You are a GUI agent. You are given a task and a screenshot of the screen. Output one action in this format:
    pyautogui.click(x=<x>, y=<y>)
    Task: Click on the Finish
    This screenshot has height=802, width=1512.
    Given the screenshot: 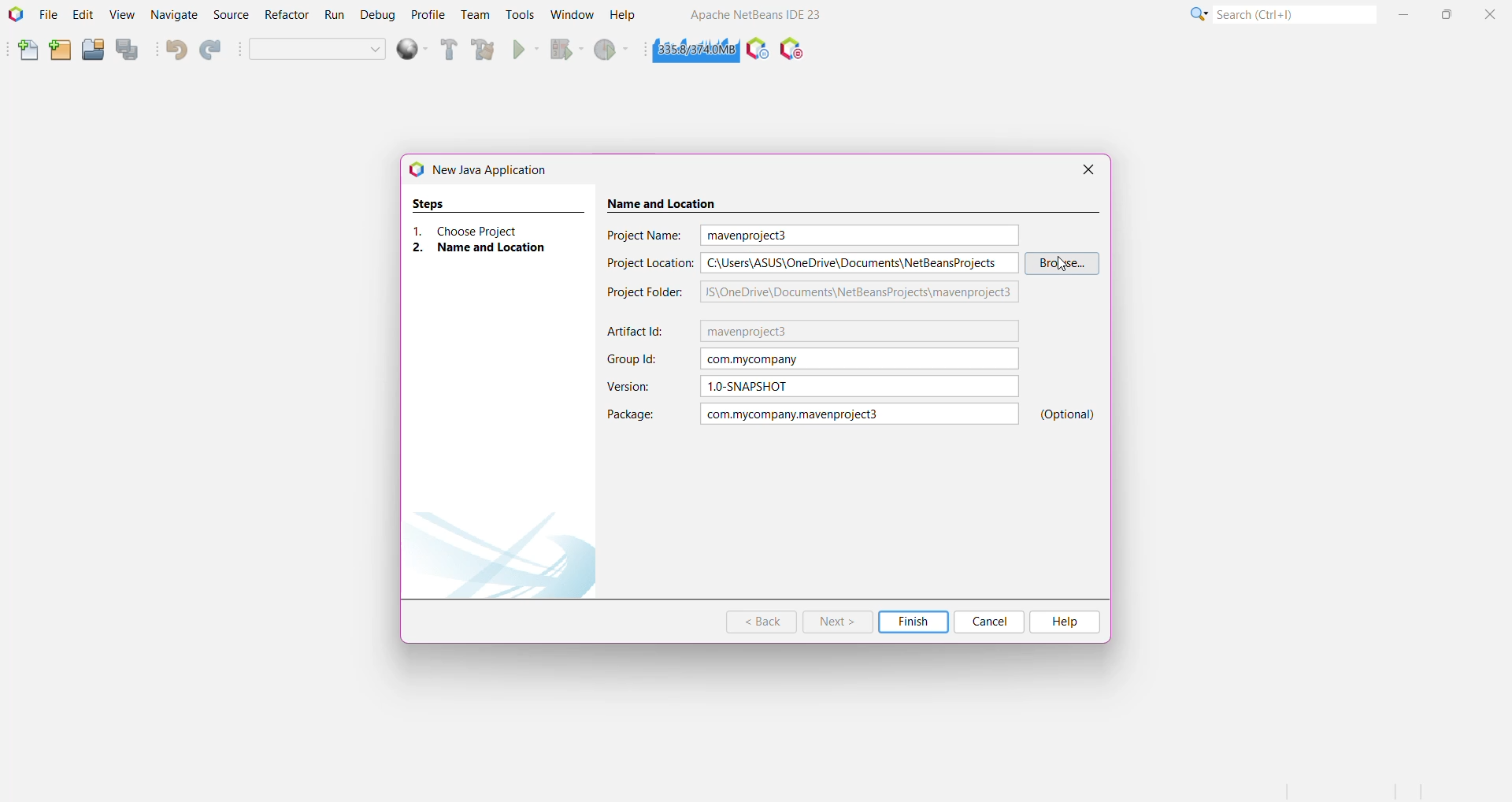 What is the action you would take?
    pyautogui.click(x=913, y=622)
    